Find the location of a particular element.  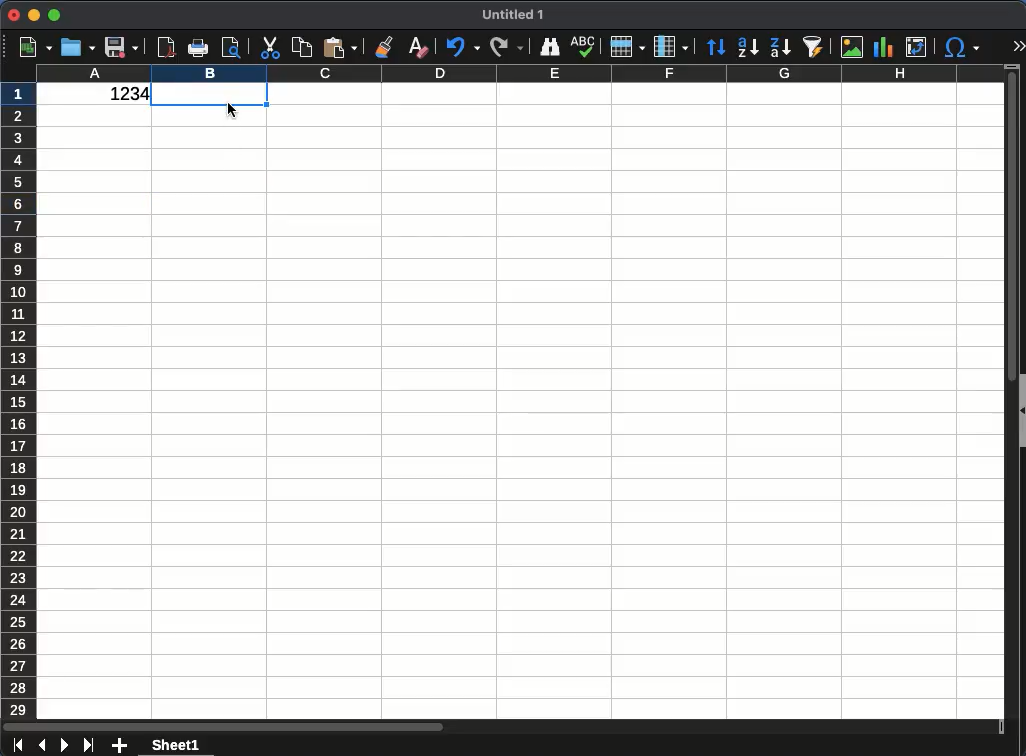

cut is located at coordinates (268, 48).